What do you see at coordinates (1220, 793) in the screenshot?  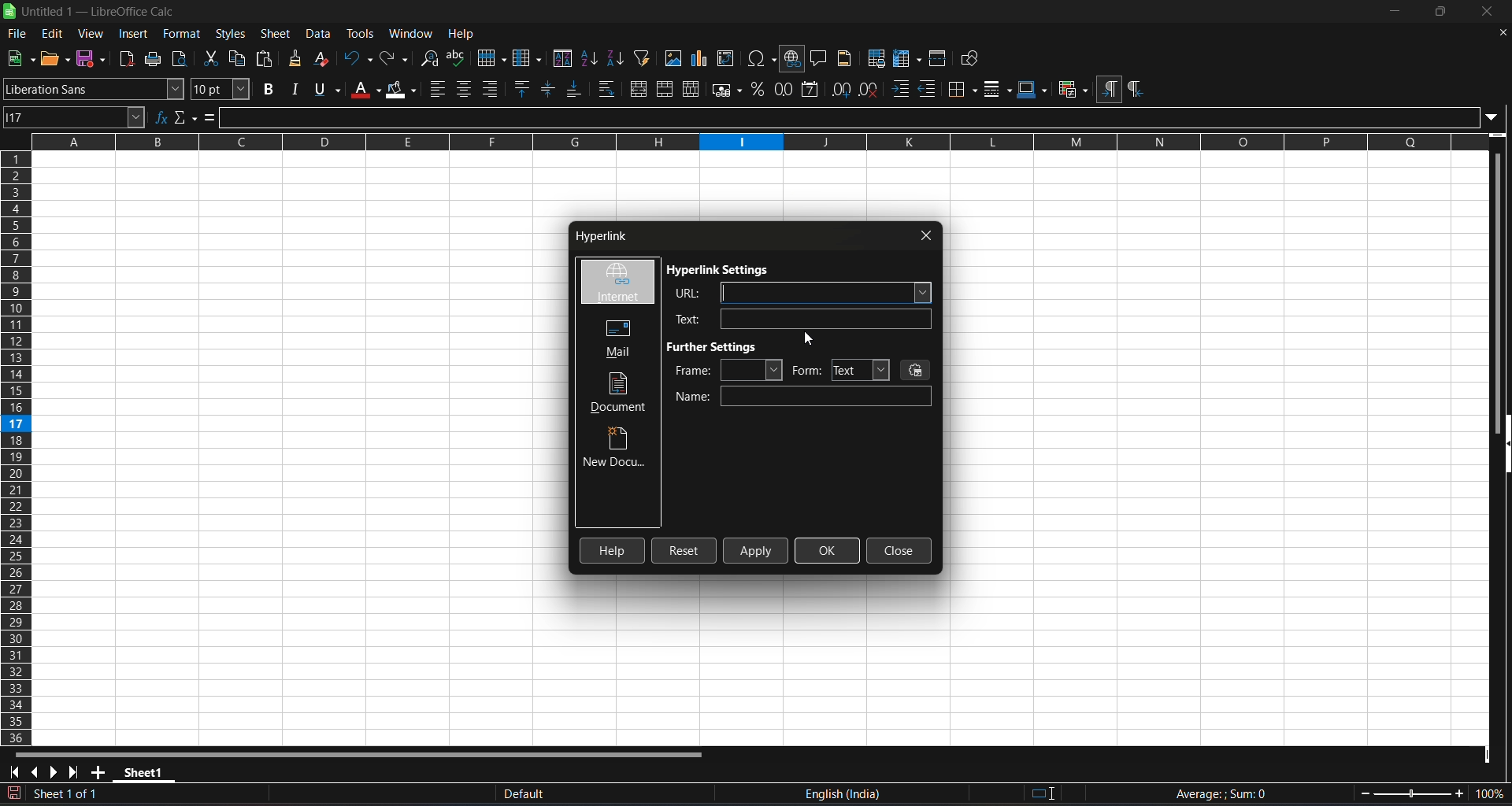 I see `formula` at bounding box center [1220, 793].